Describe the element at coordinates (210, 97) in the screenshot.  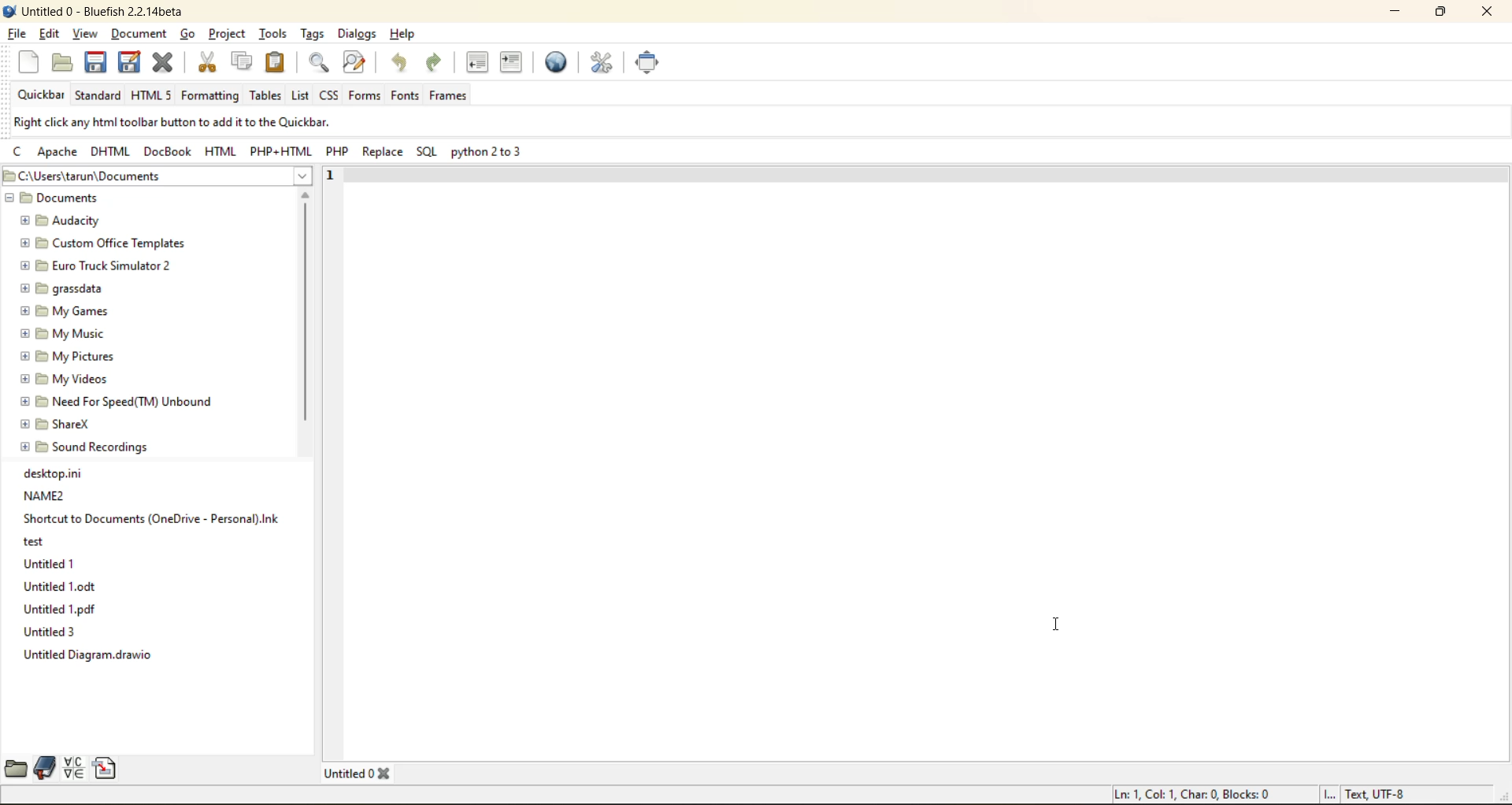
I see `formatting` at that location.